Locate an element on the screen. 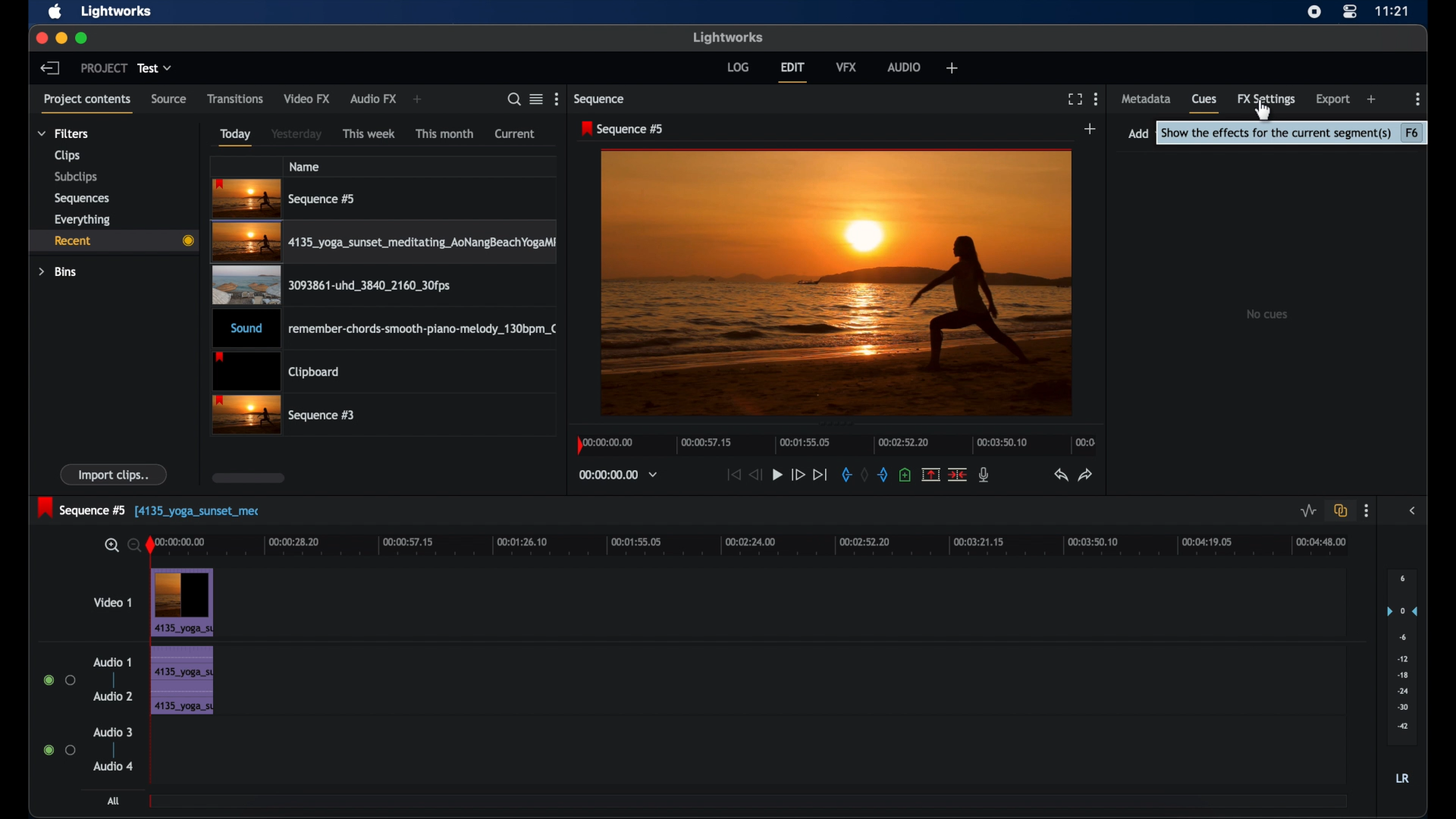 The height and width of the screenshot is (819, 1456). play  is located at coordinates (777, 475).